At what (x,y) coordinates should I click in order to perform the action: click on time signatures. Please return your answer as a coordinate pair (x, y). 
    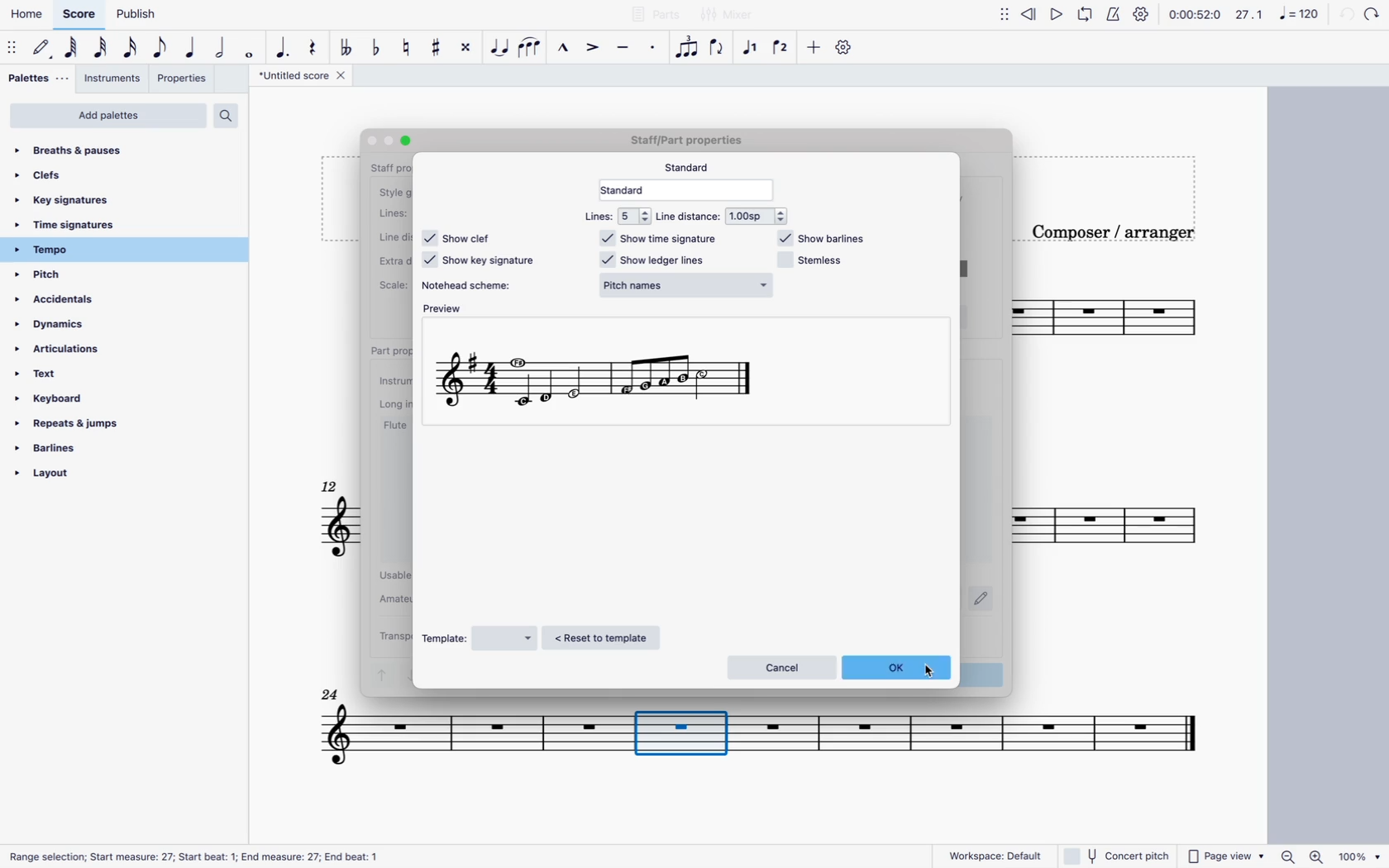
    Looking at the image, I should click on (76, 227).